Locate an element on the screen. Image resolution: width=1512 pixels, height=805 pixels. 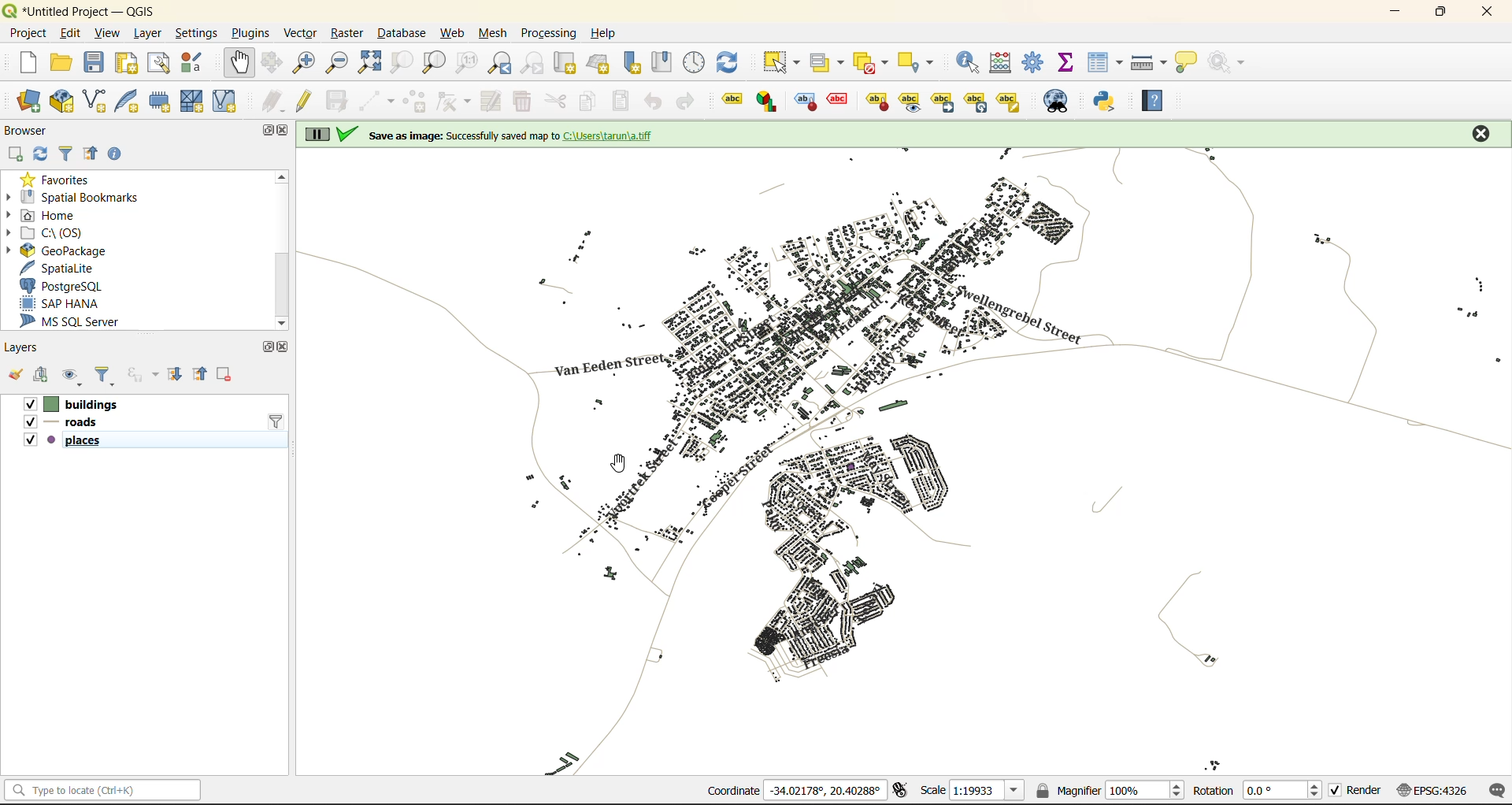
crs is located at coordinates (1428, 788).